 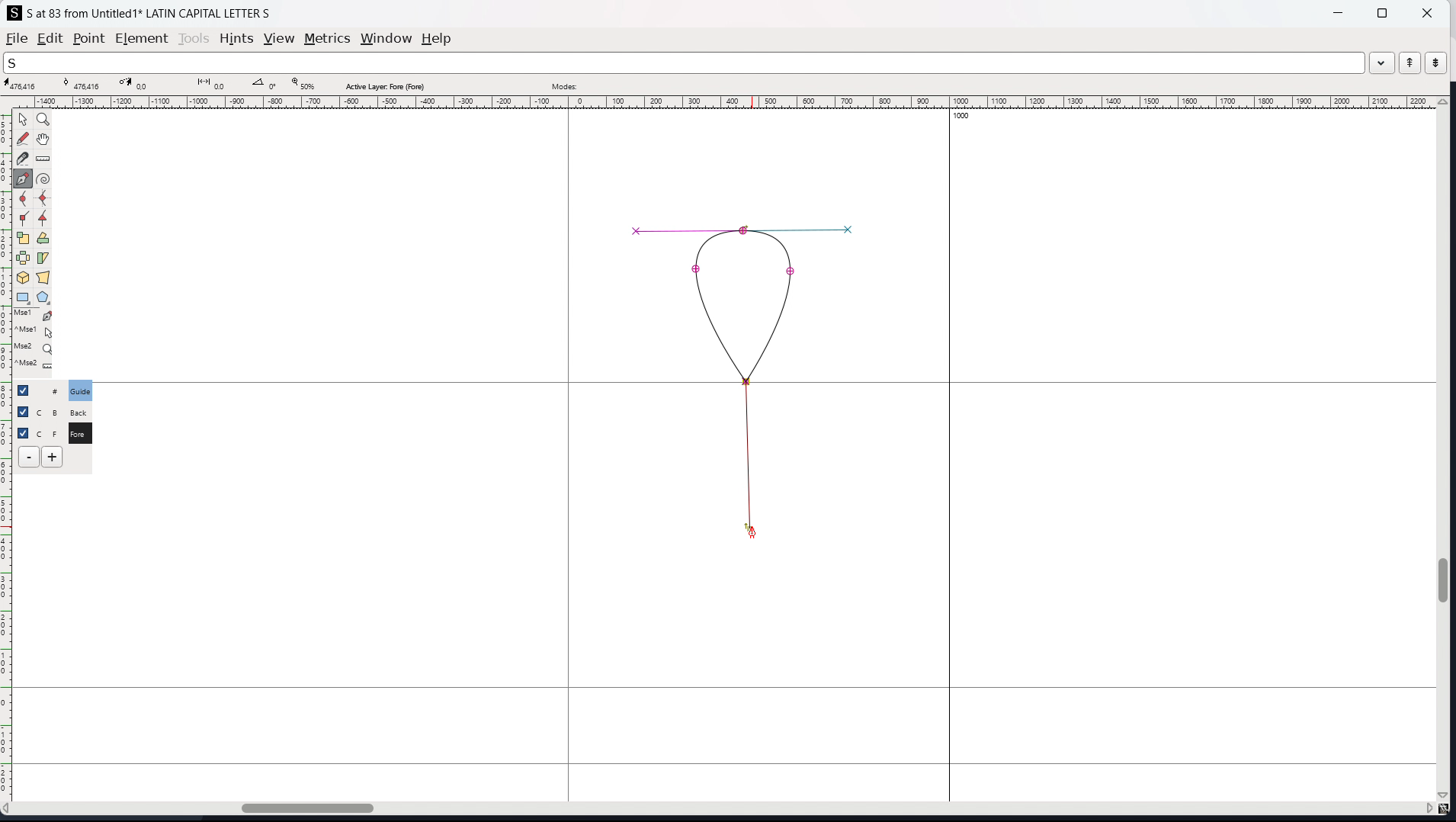 I want to click on add a point then drag out its control points, so click(x=24, y=178).